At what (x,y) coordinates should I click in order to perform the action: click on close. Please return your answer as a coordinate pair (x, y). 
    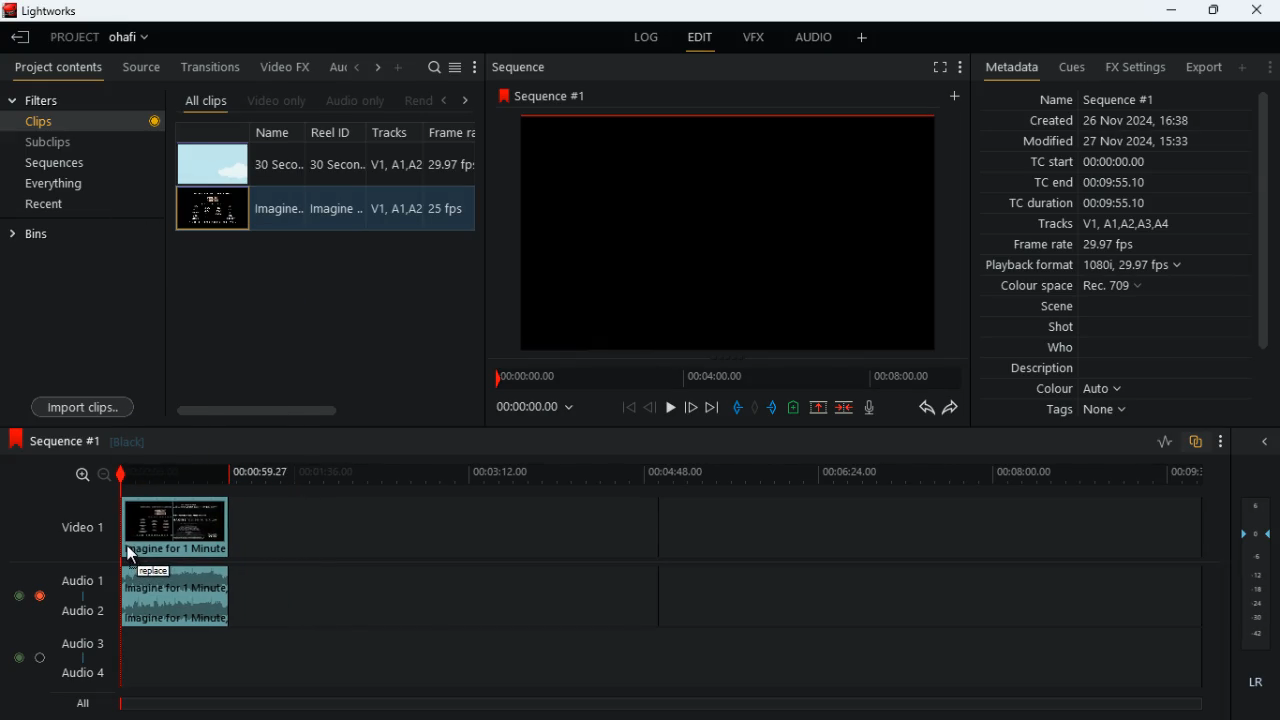
    Looking at the image, I should click on (1258, 8).